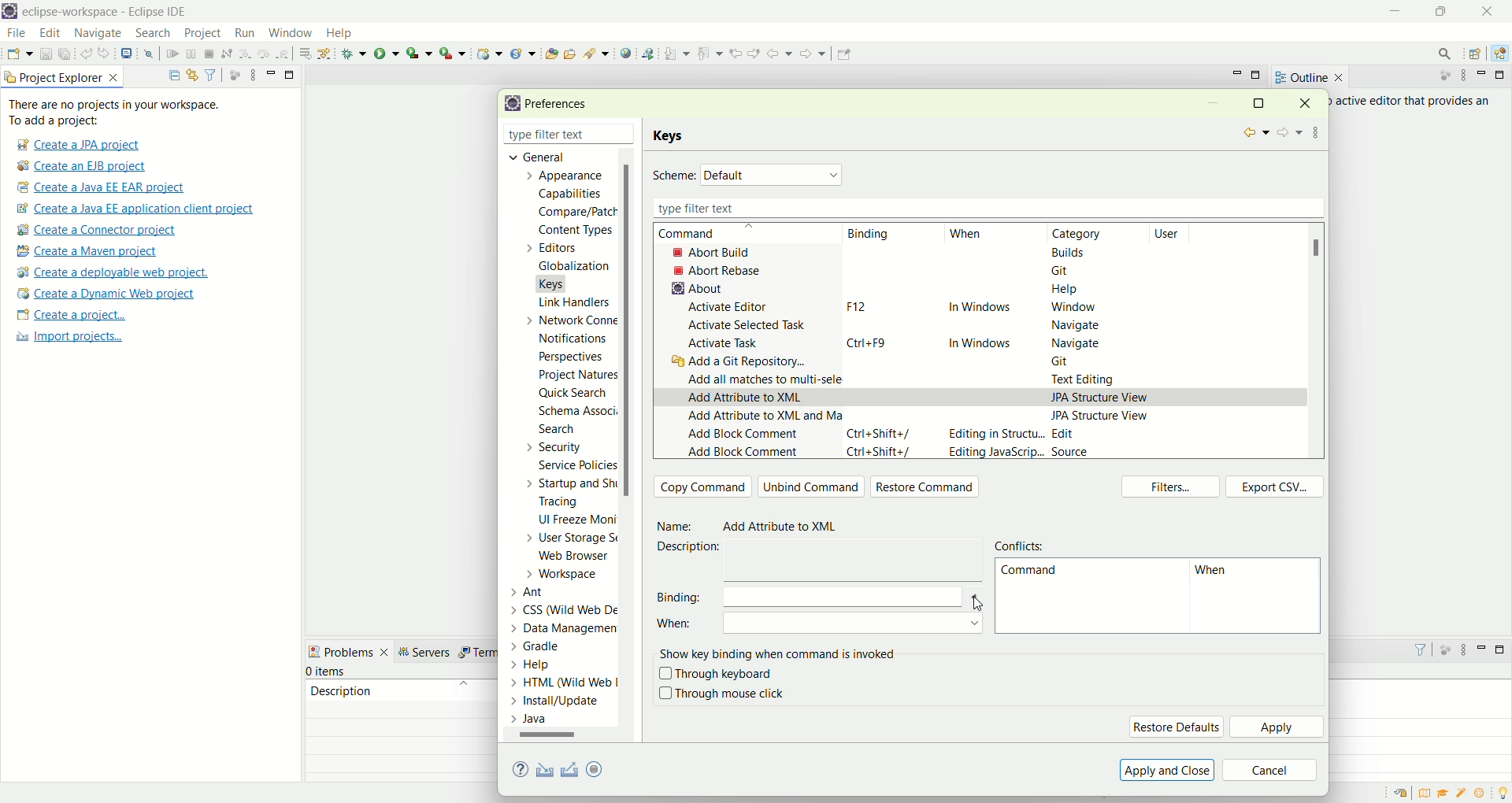 The image size is (1512, 803). Describe the element at coordinates (773, 174) in the screenshot. I see `Default` at that location.